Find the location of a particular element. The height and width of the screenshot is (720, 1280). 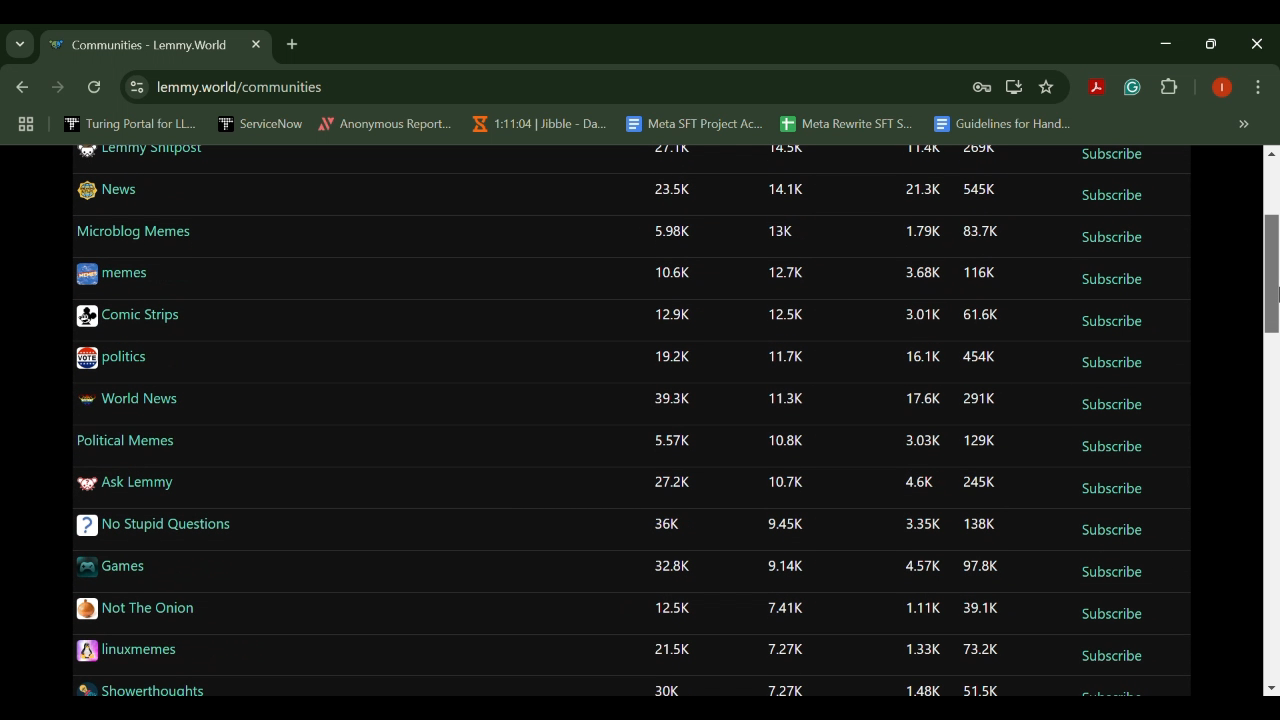

linuxmemes is located at coordinates (129, 651).